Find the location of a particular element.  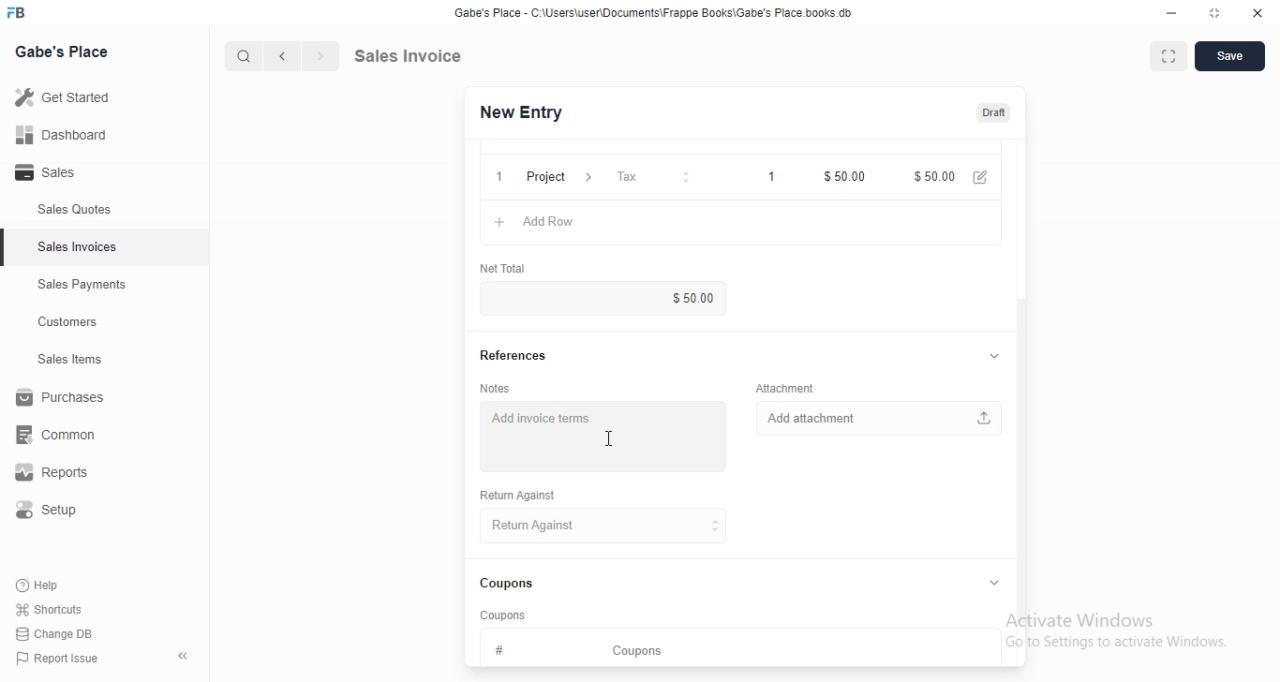

- Sales is located at coordinates (64, 175).